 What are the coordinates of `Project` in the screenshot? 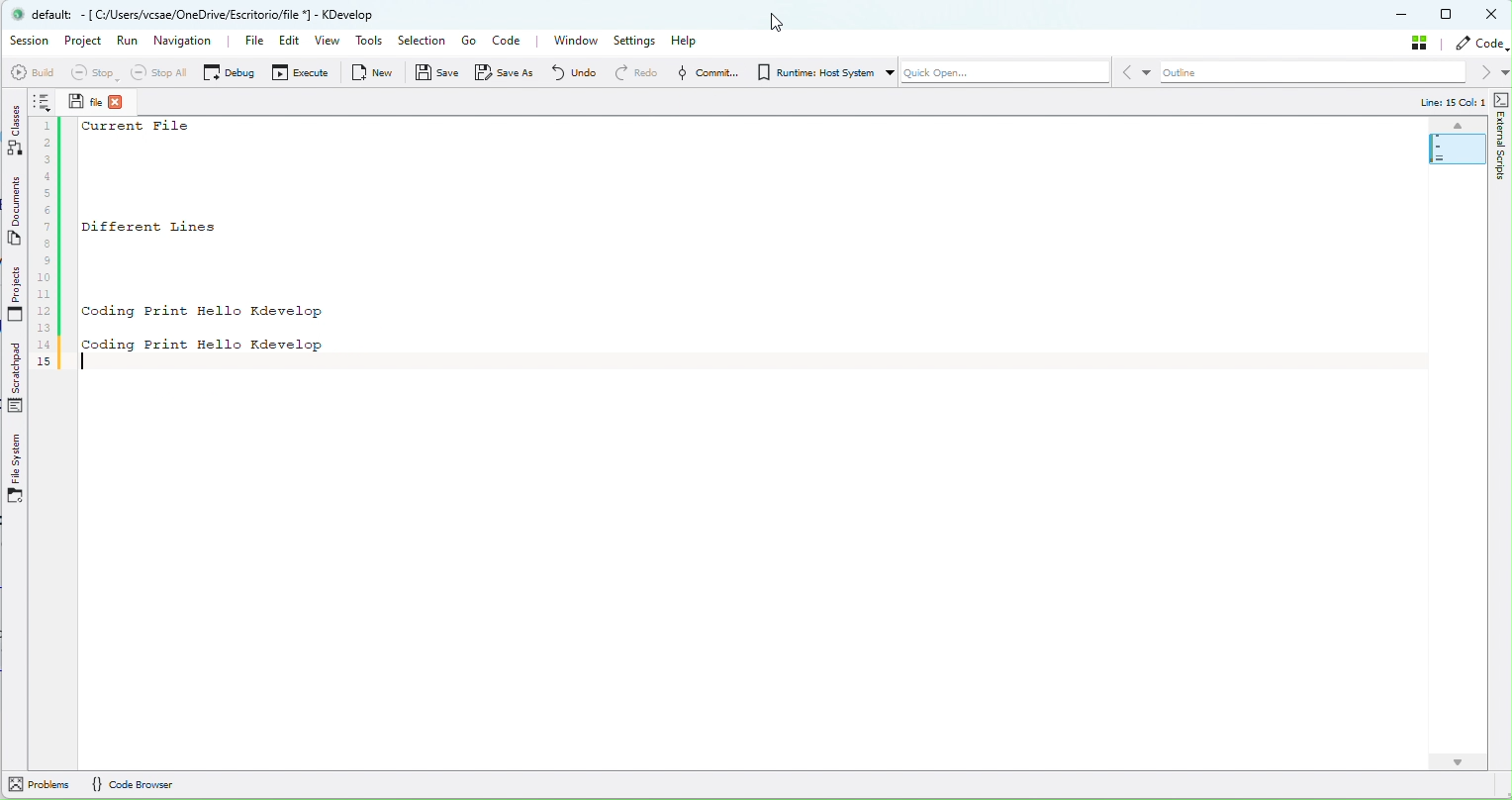 It's located at (86, 43).